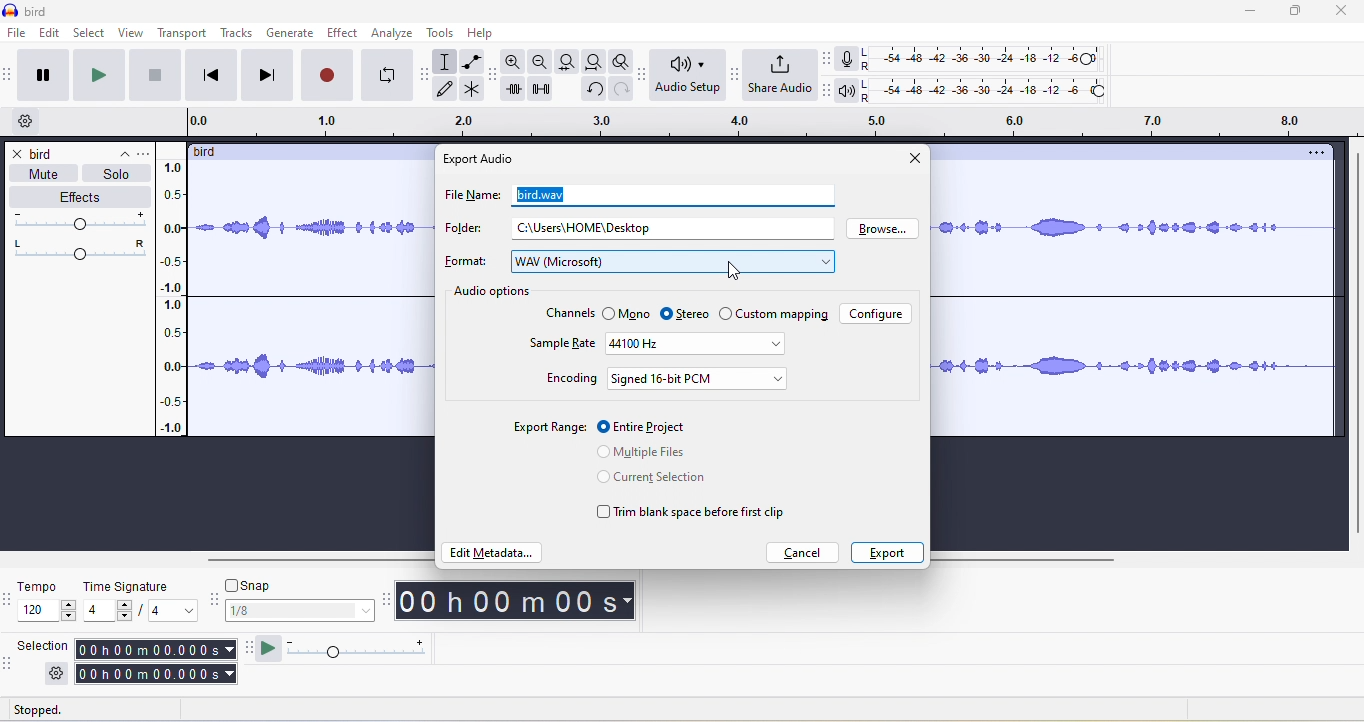 Image resolution: width=1364 pixels, height=722 pixels. Describe the element at coordinates (991, 92) in the screenshot. I see `playback level` at that location.